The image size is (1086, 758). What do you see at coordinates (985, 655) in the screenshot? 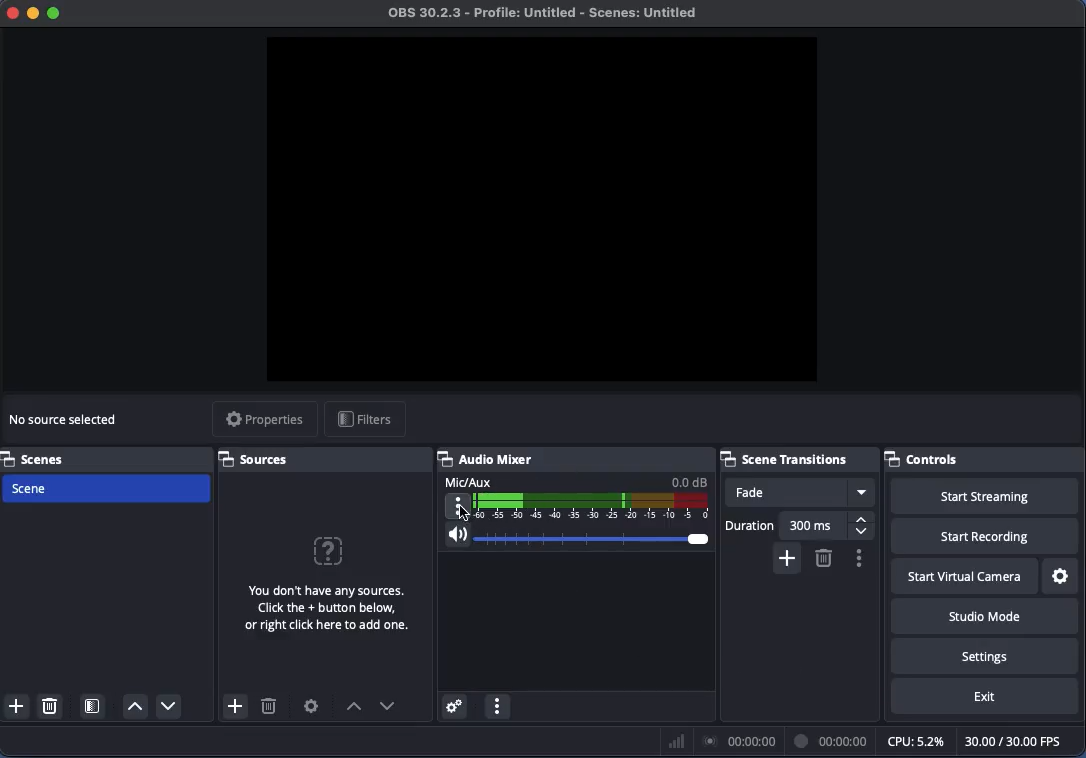
I see `Settings` at bounding box center [985, 655].